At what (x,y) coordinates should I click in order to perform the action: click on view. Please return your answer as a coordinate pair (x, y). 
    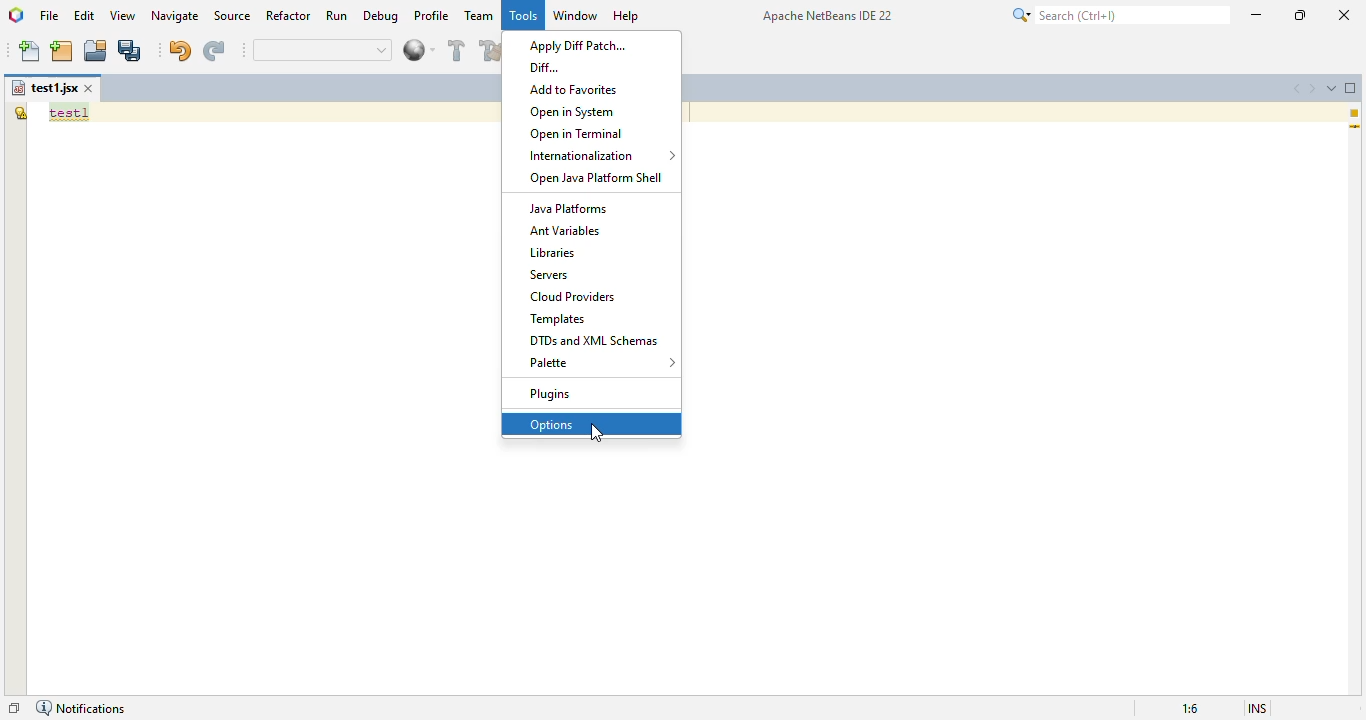
    Looking at the image, I should click on (123, 16).